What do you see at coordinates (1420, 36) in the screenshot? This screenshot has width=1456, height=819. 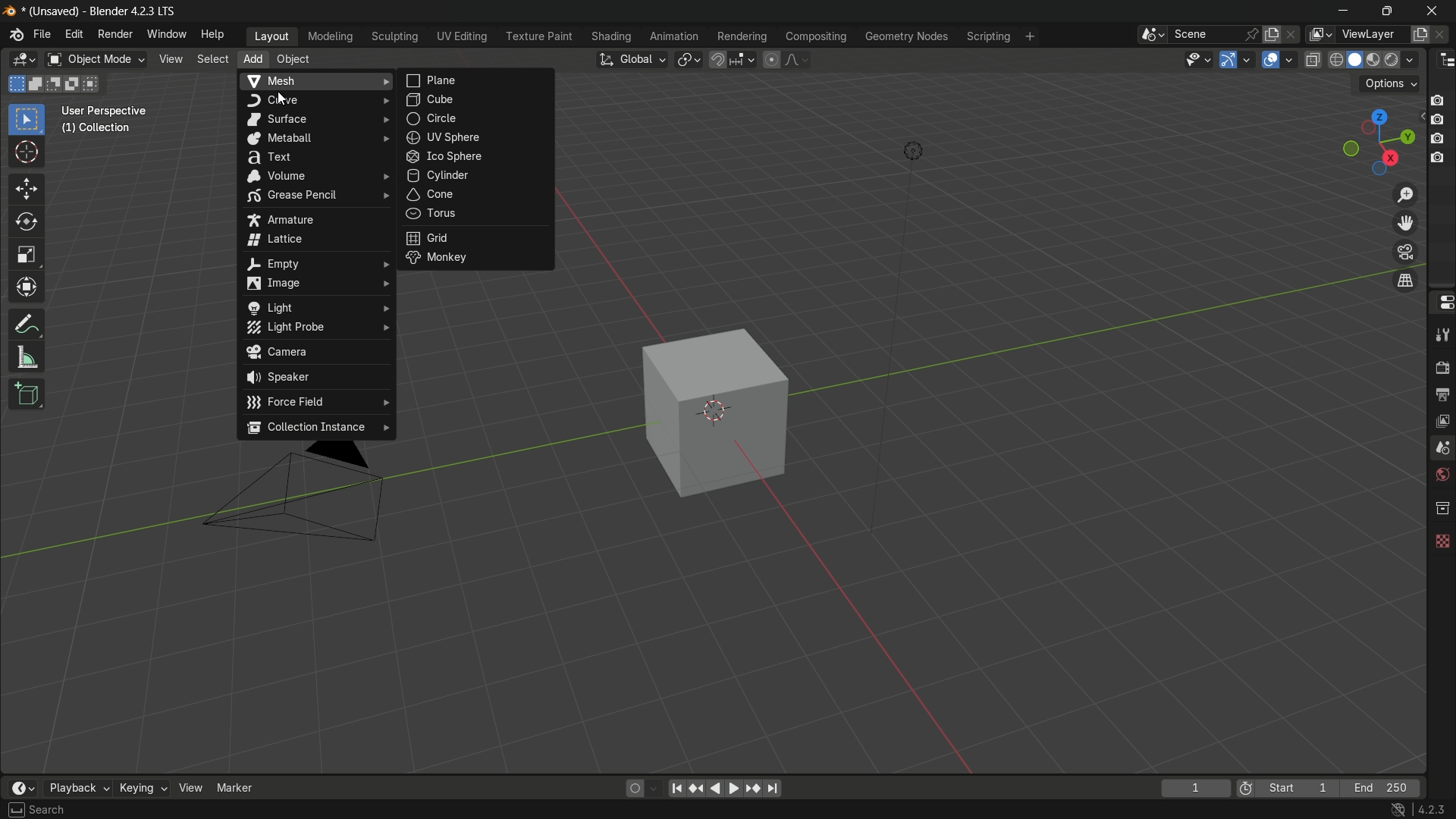 I see `add new layer` at bounding box center [1420, 36].